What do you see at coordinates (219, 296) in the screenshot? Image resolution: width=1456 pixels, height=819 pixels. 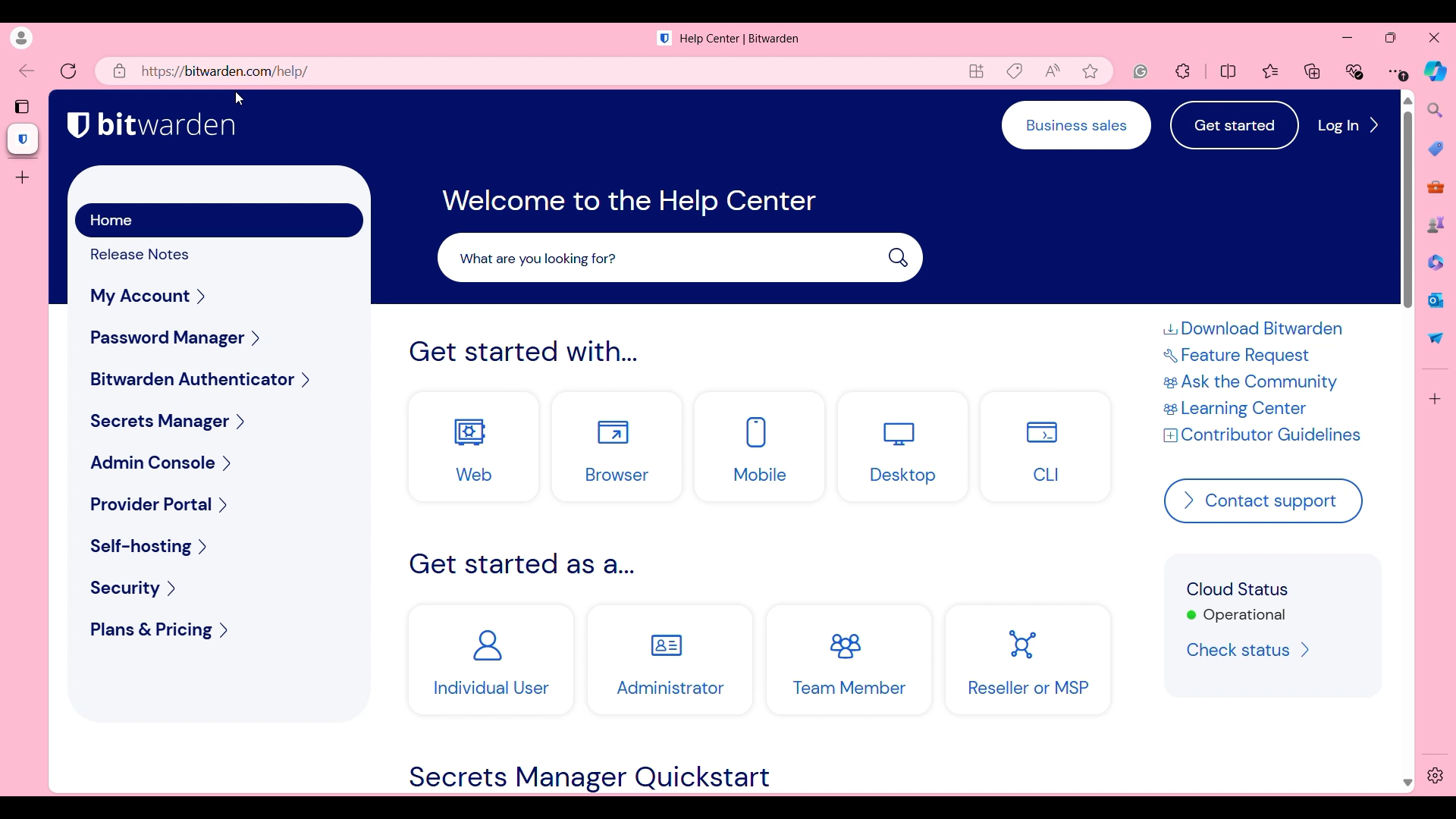 I see `My account` at bounding box center [219, 296].